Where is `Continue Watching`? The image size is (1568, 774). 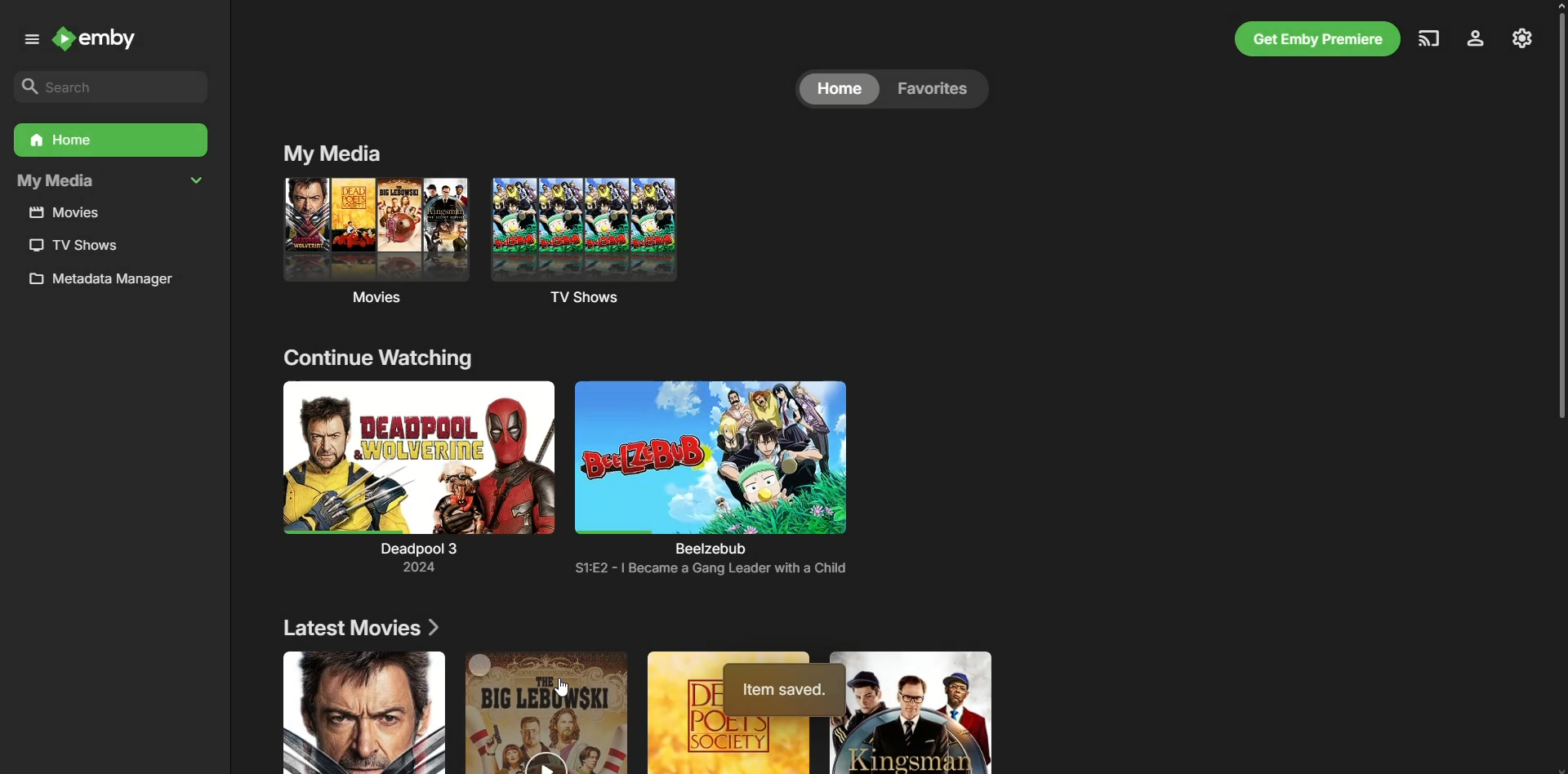 Continue Watching is located at coordinates (385, 363).